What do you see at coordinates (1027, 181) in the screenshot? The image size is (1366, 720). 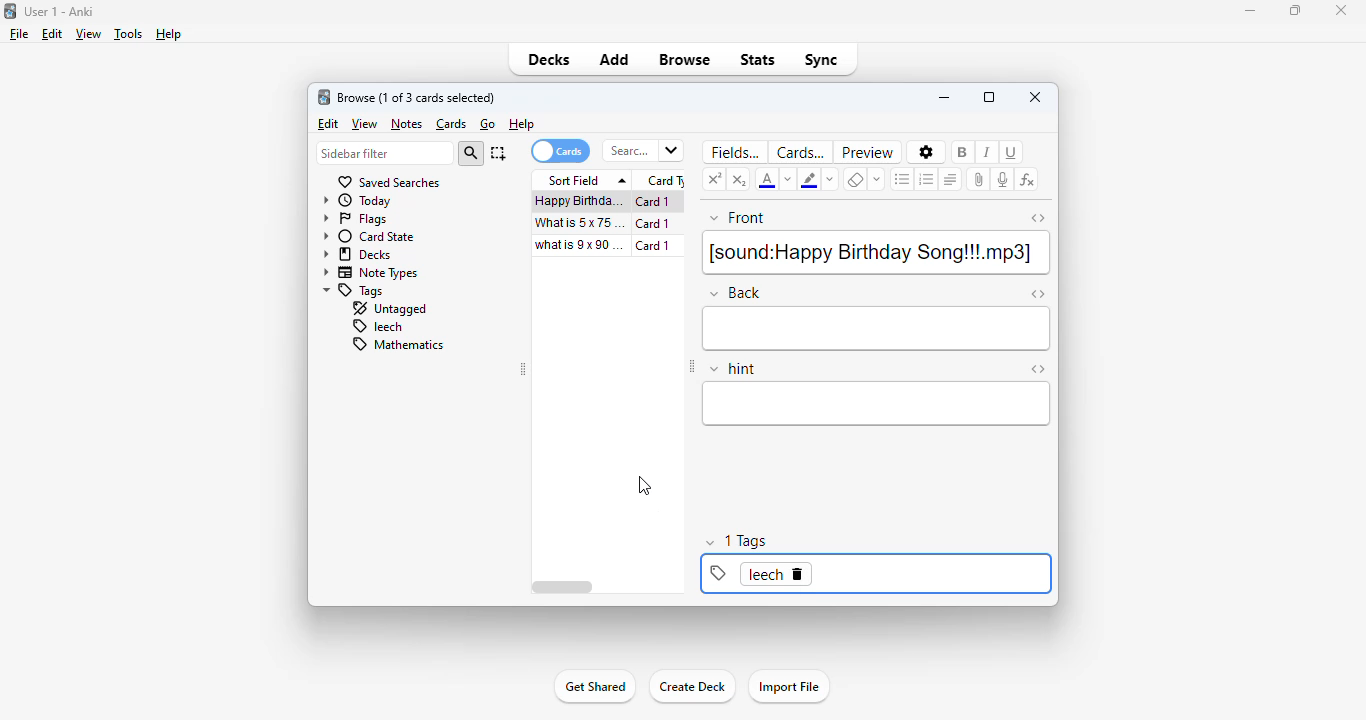 I see `equations` at bounding box center [1027, 181].